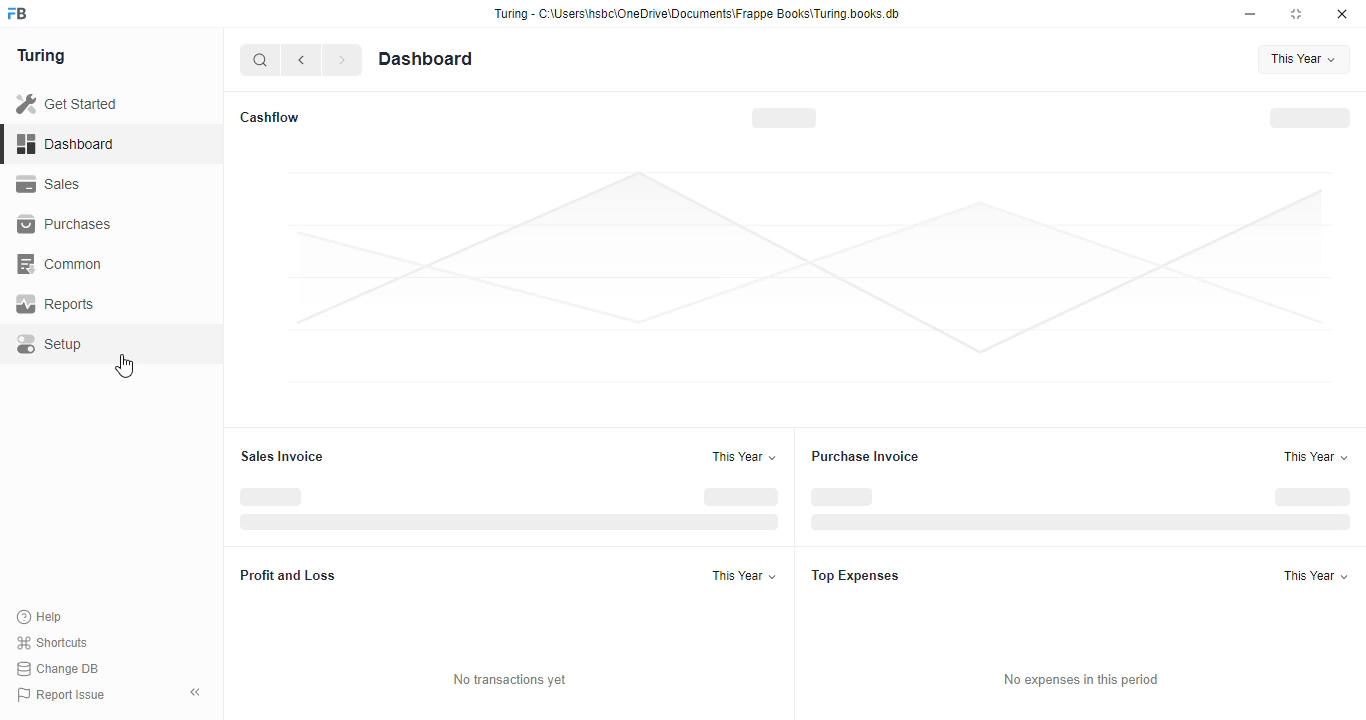 The image size is (1366, 720). What do you see at coordinates (1315, 575) in the screenshot?
I see `this year` at bounding box center [1315, 575].